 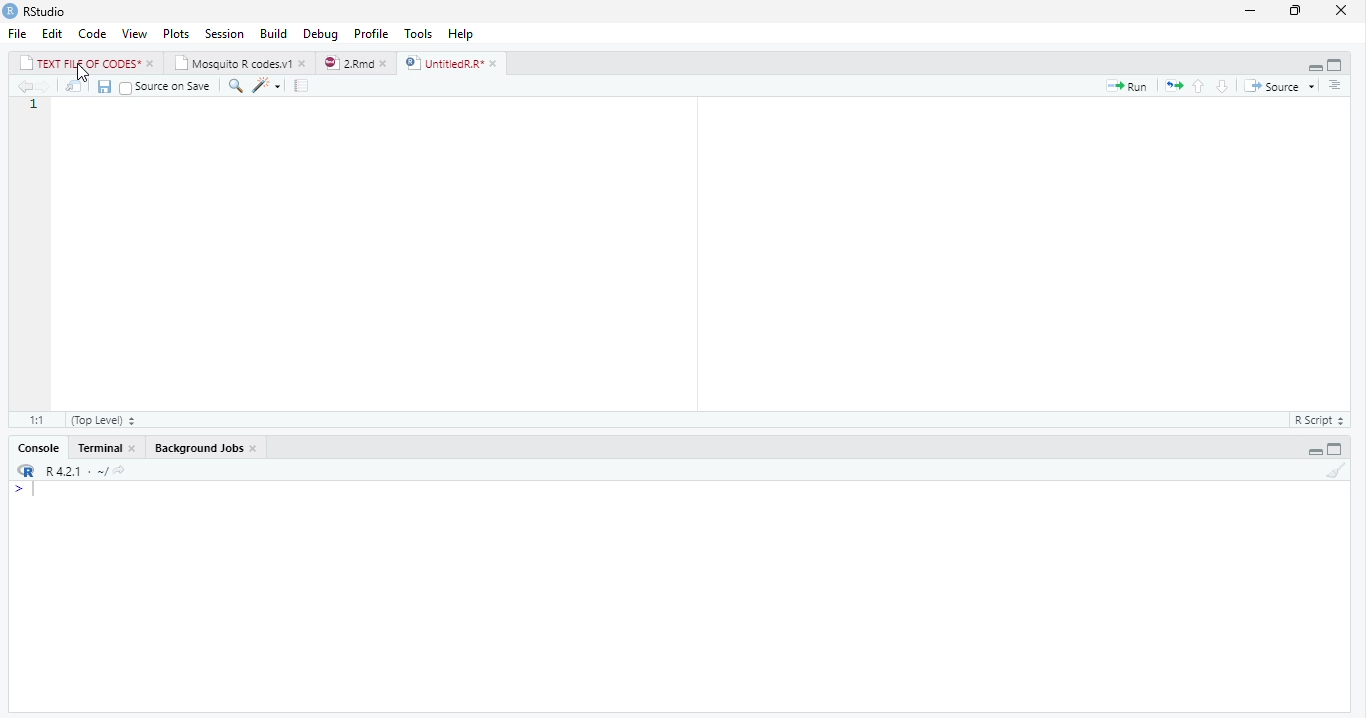 What do you see at coordinates (102, 422) in the screenshot?
I see `(Top Level)` at bounding box center [102, 422].